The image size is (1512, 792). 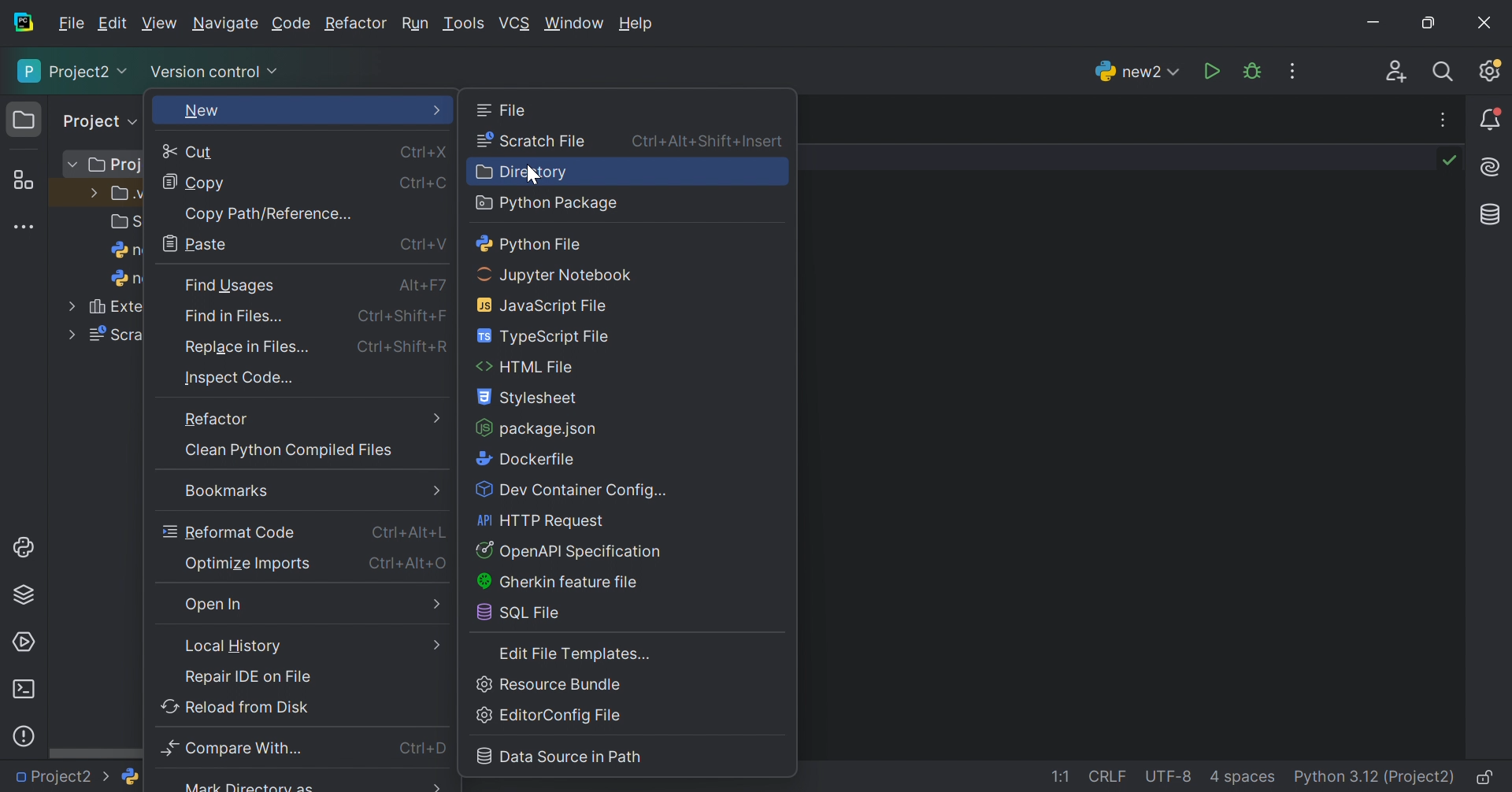 I want to click on Copy path/reference..., so click(x=269, y=214).